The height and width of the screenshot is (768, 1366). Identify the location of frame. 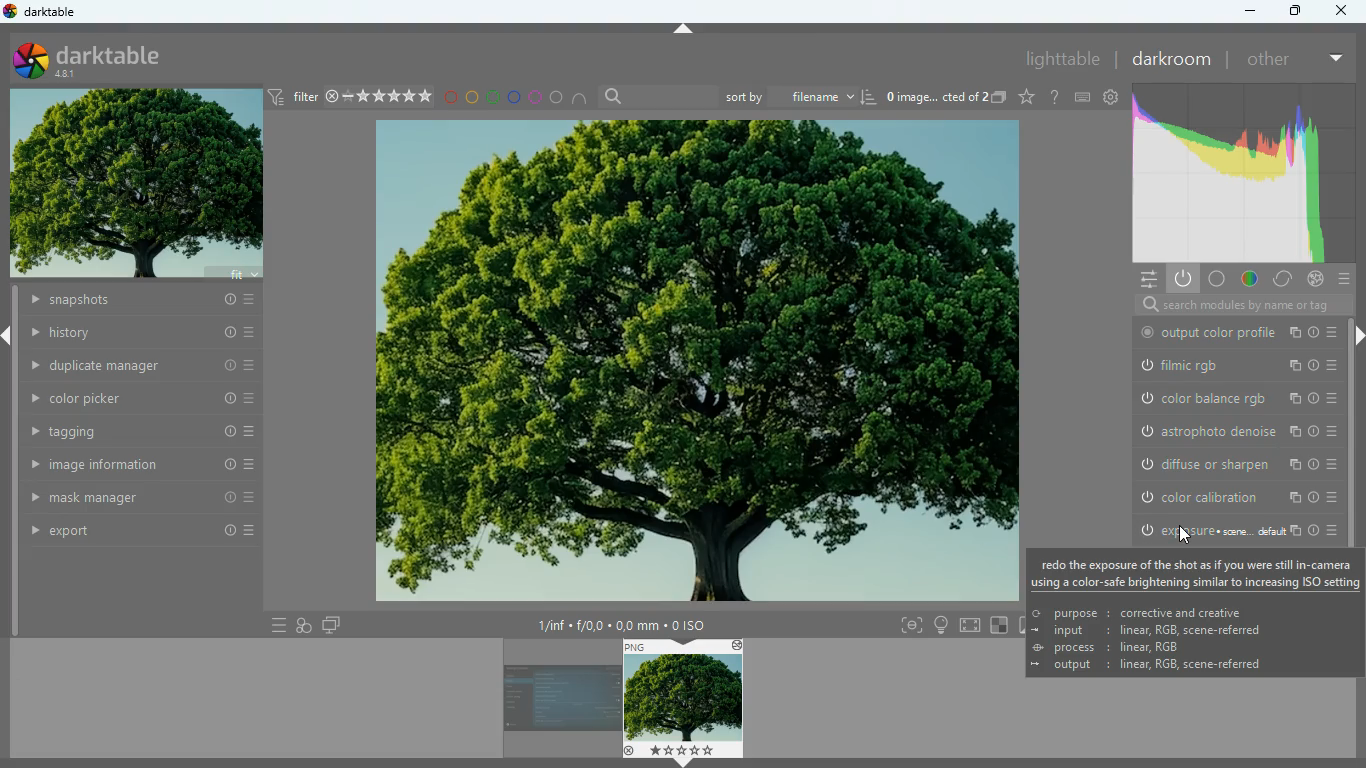
(912, 625).